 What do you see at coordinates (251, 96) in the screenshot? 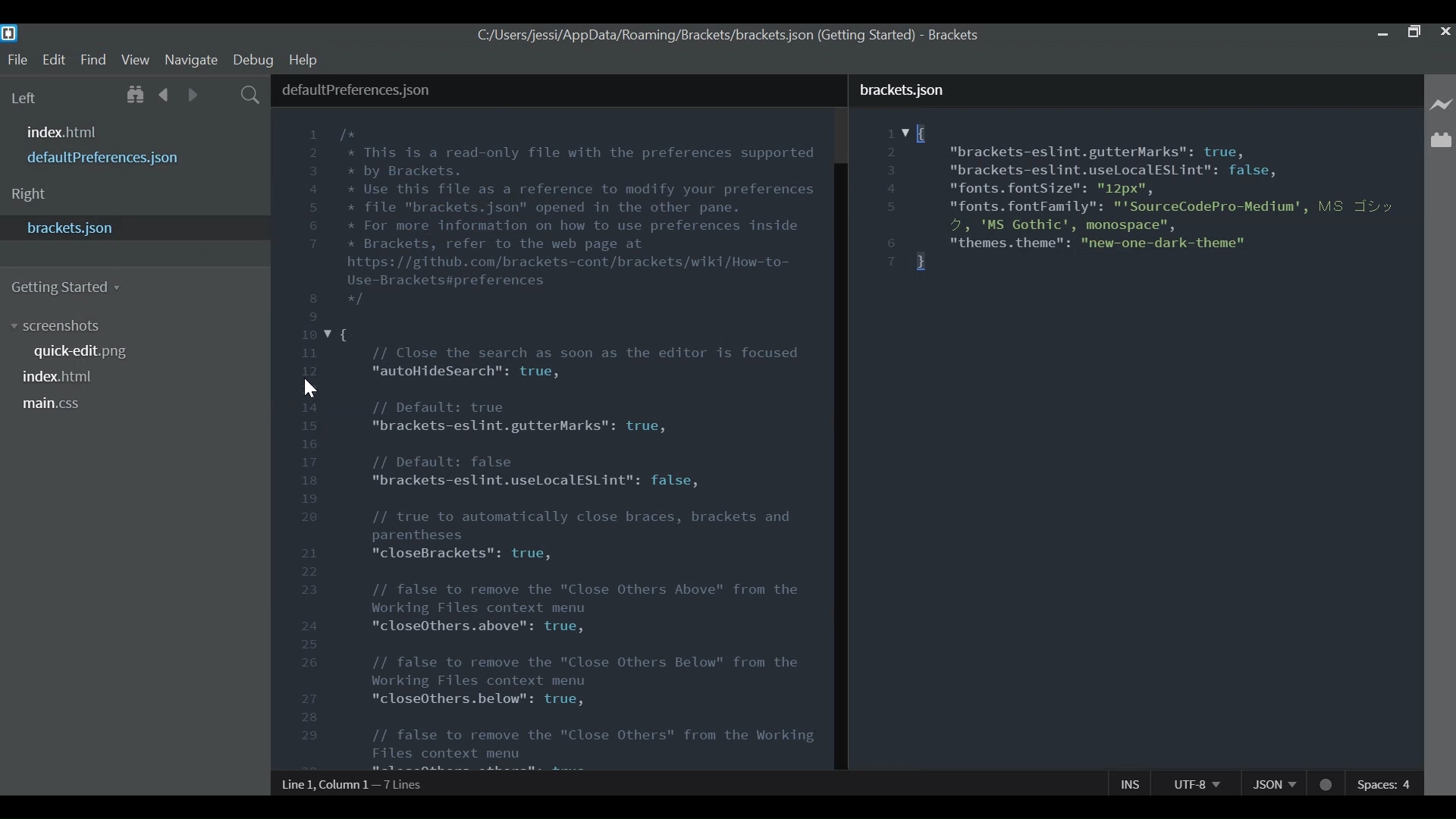
I see `Find` at bounding box center [251, 96].